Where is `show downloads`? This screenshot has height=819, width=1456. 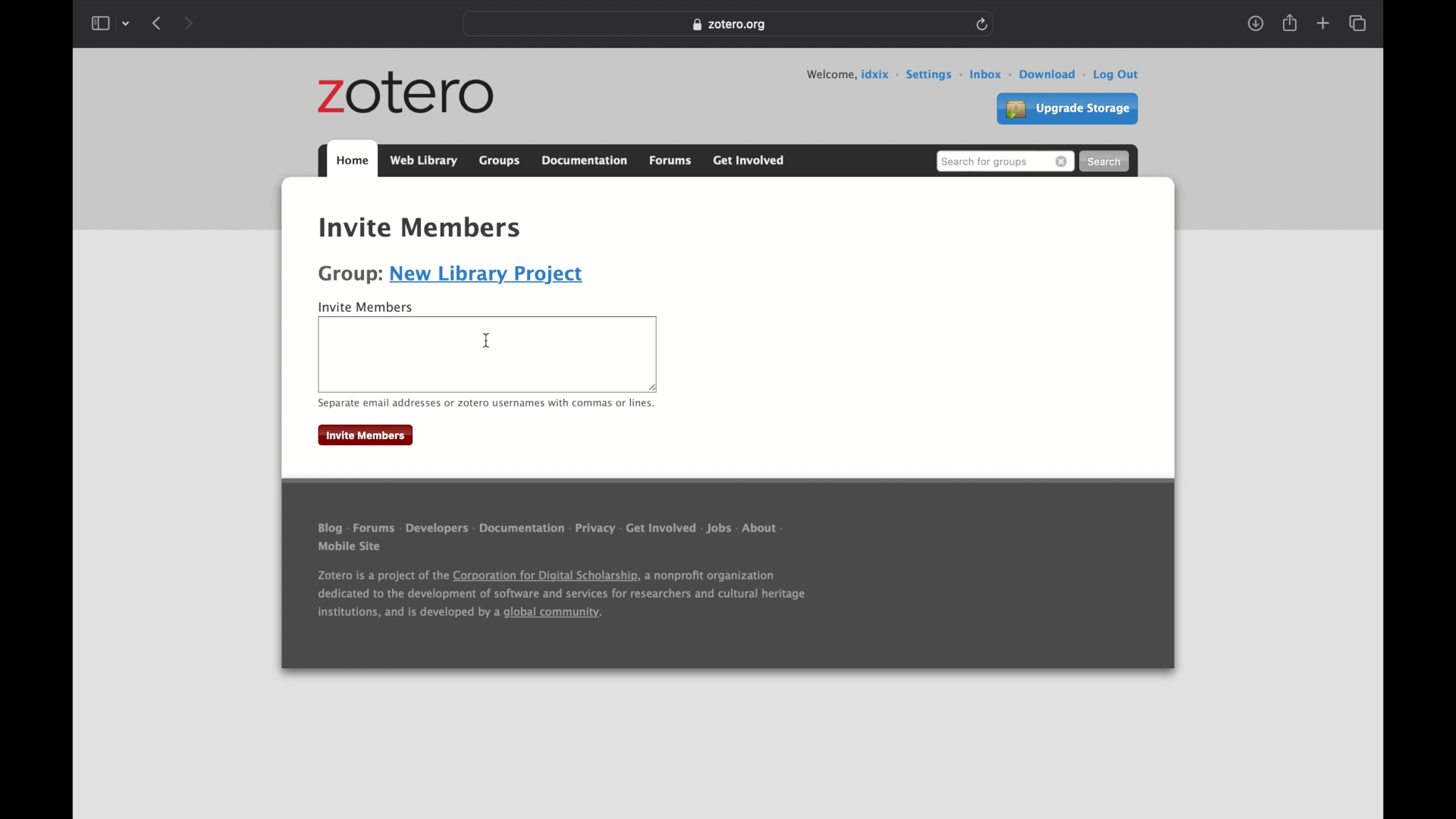
show downloads is located at coordinates (1254, 24).